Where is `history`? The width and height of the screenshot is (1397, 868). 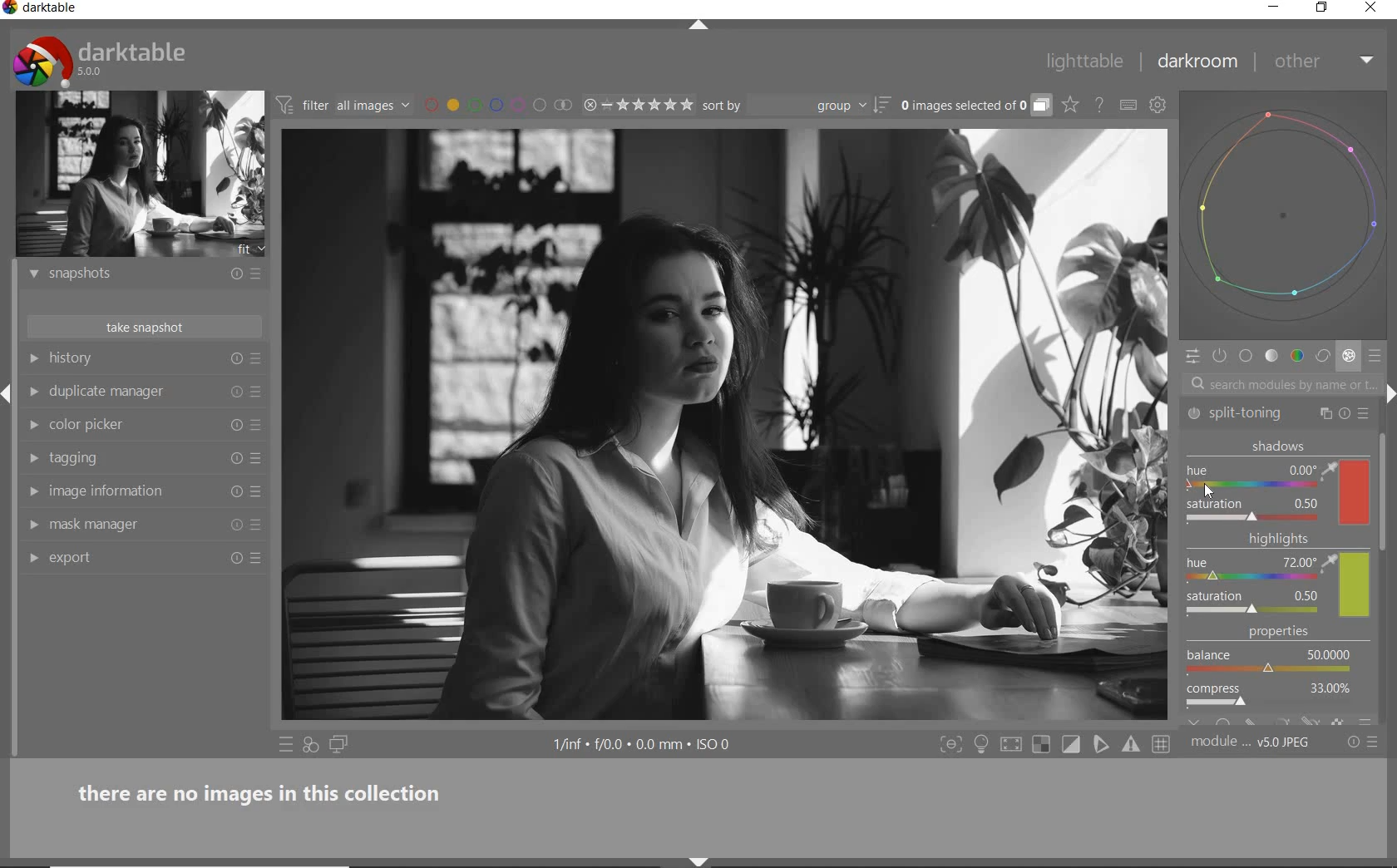 history is located at coordinates (135, 359).